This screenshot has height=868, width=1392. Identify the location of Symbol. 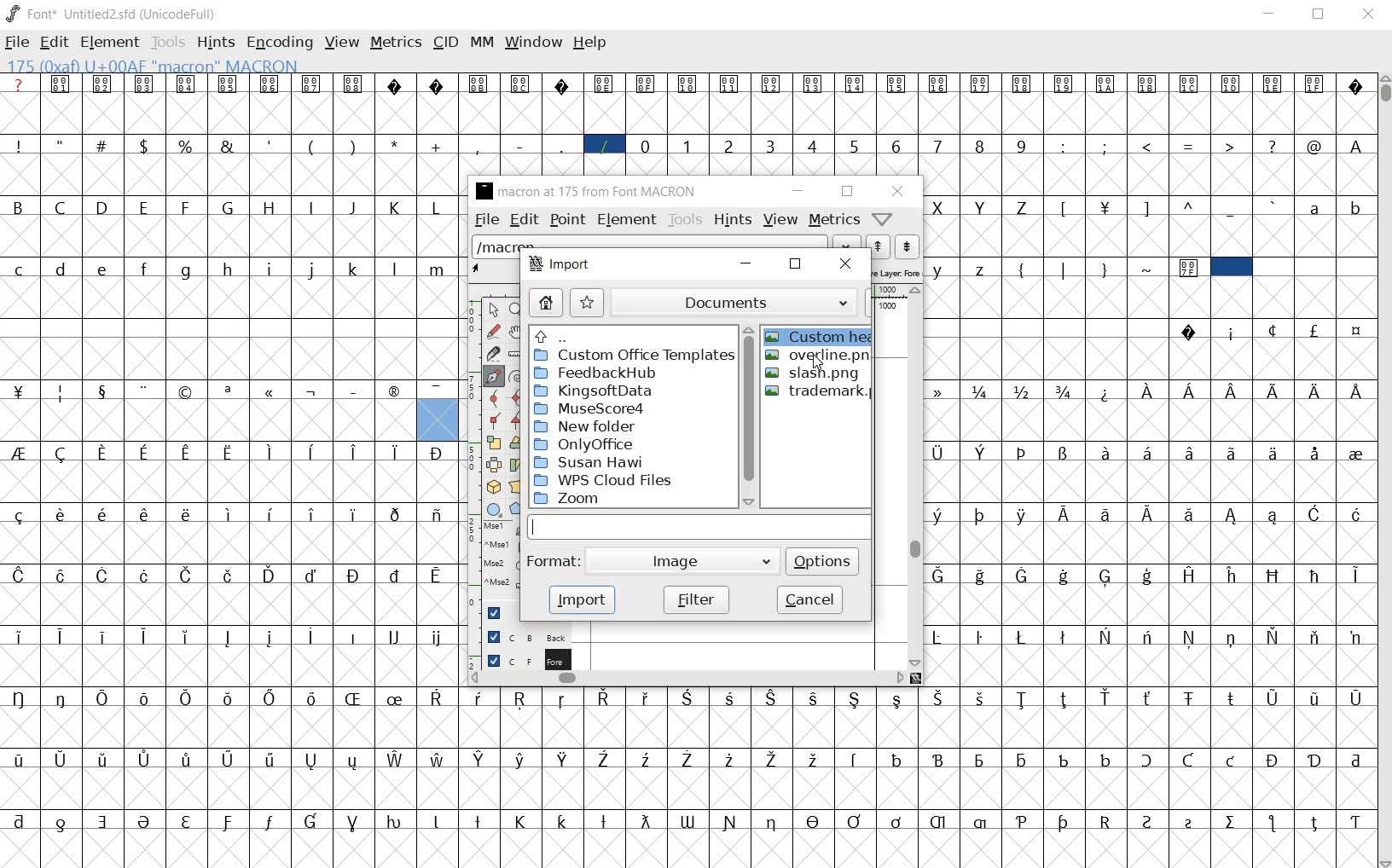
(980, 758).